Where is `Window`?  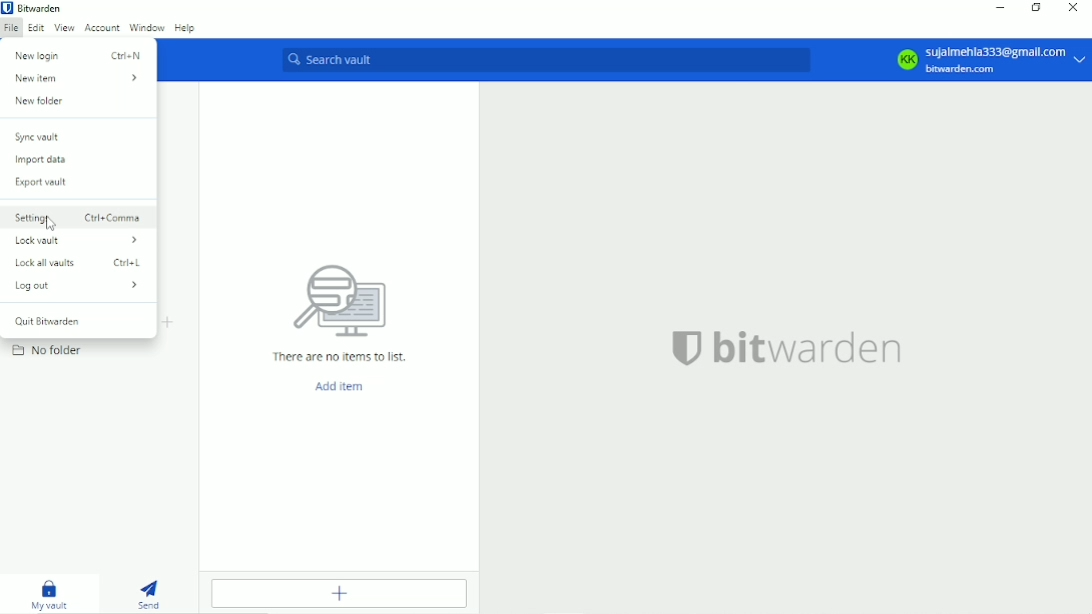
Window is located at coordinates (146, 27).